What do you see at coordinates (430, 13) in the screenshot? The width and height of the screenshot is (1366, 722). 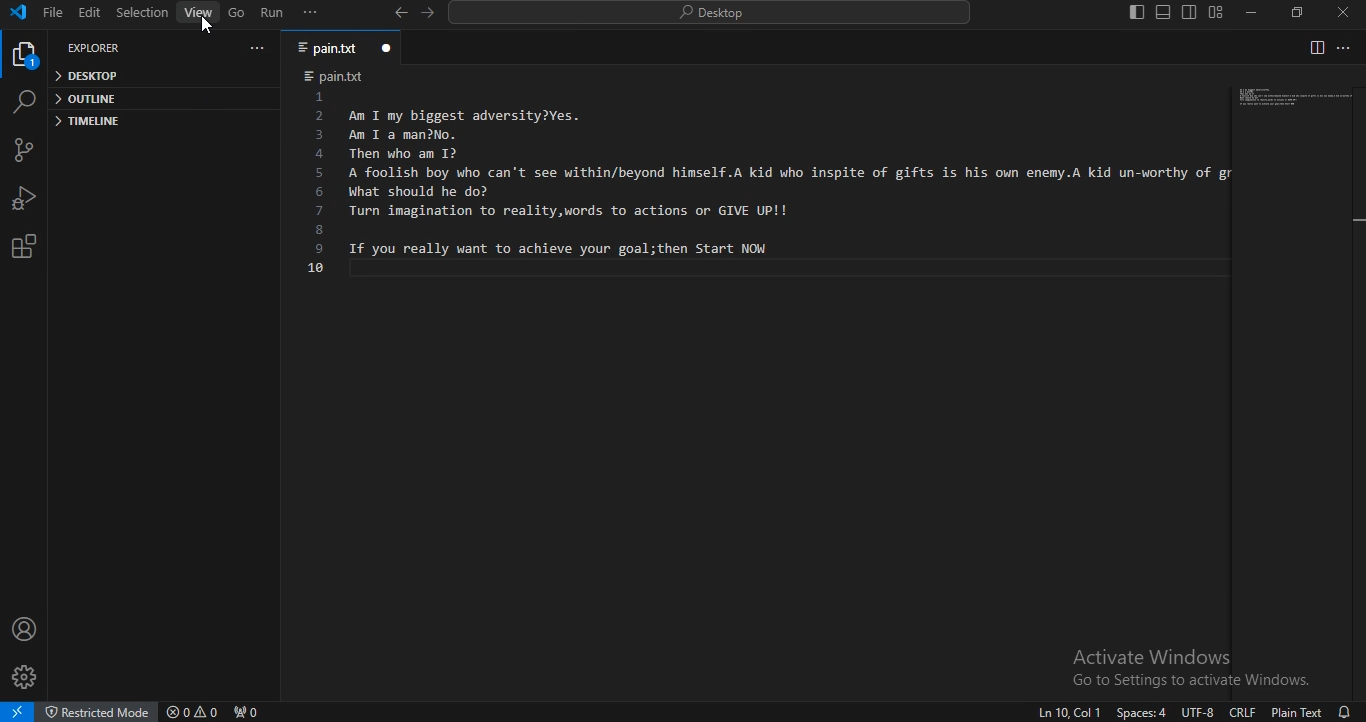 I see `go forward` at bounding box center [430, 13].